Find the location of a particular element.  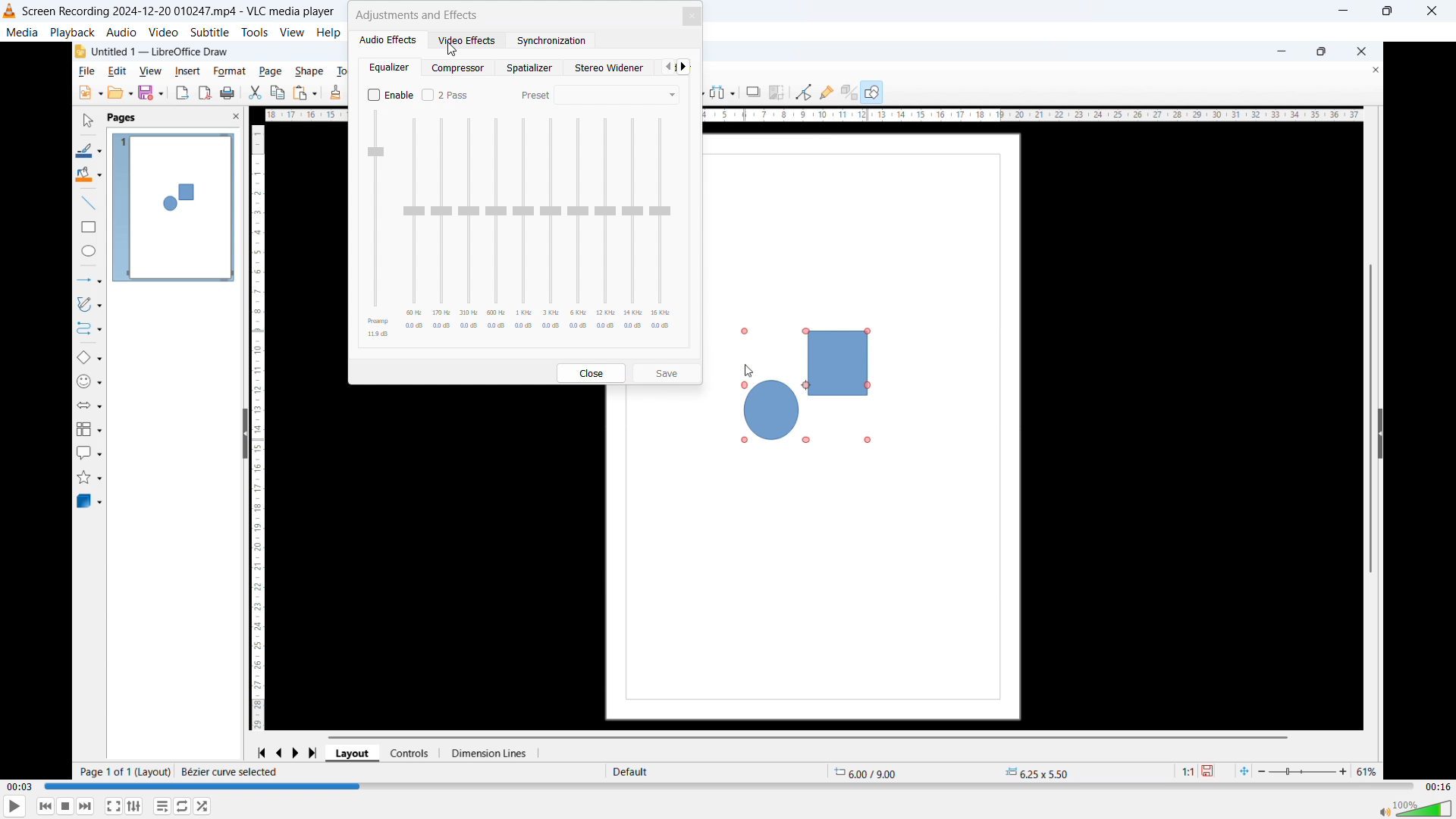

Video effects  is located at coordinates (468, 40).